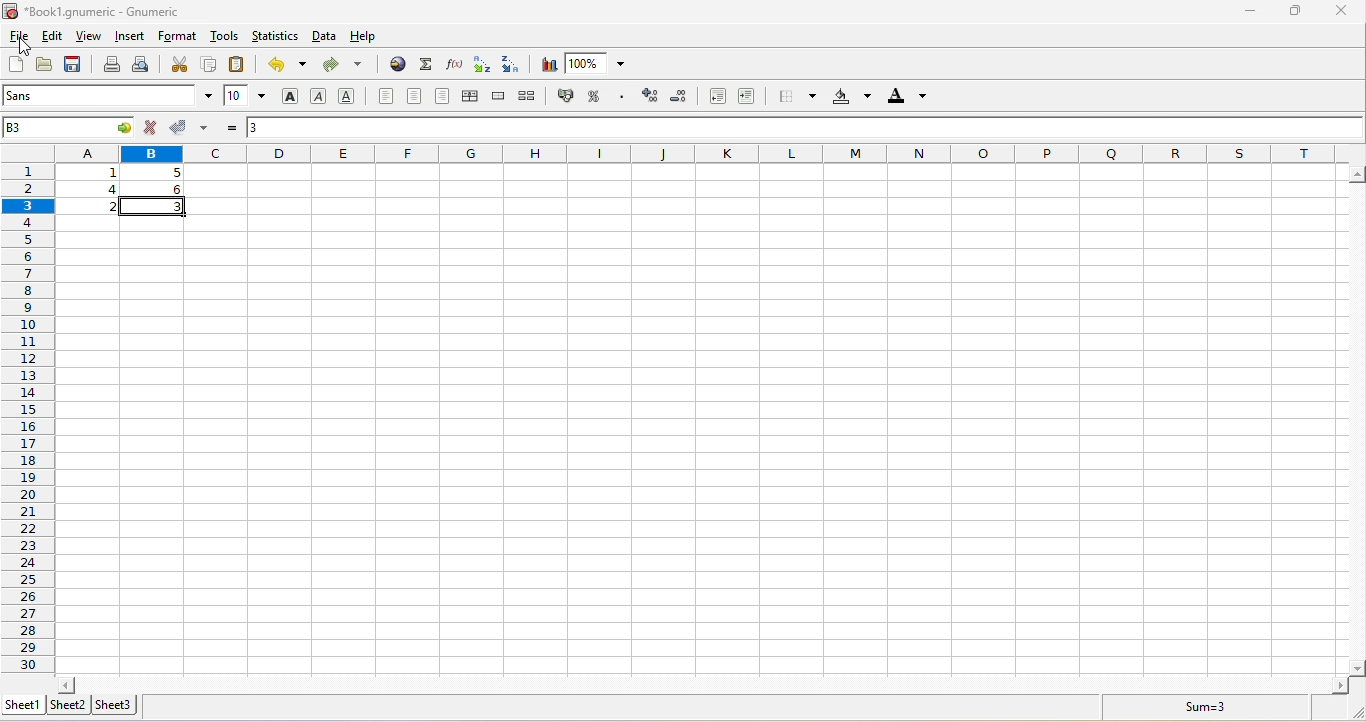 This screenshot has width=1366, height=722. I want to click on increase the number, so click(652, 98).